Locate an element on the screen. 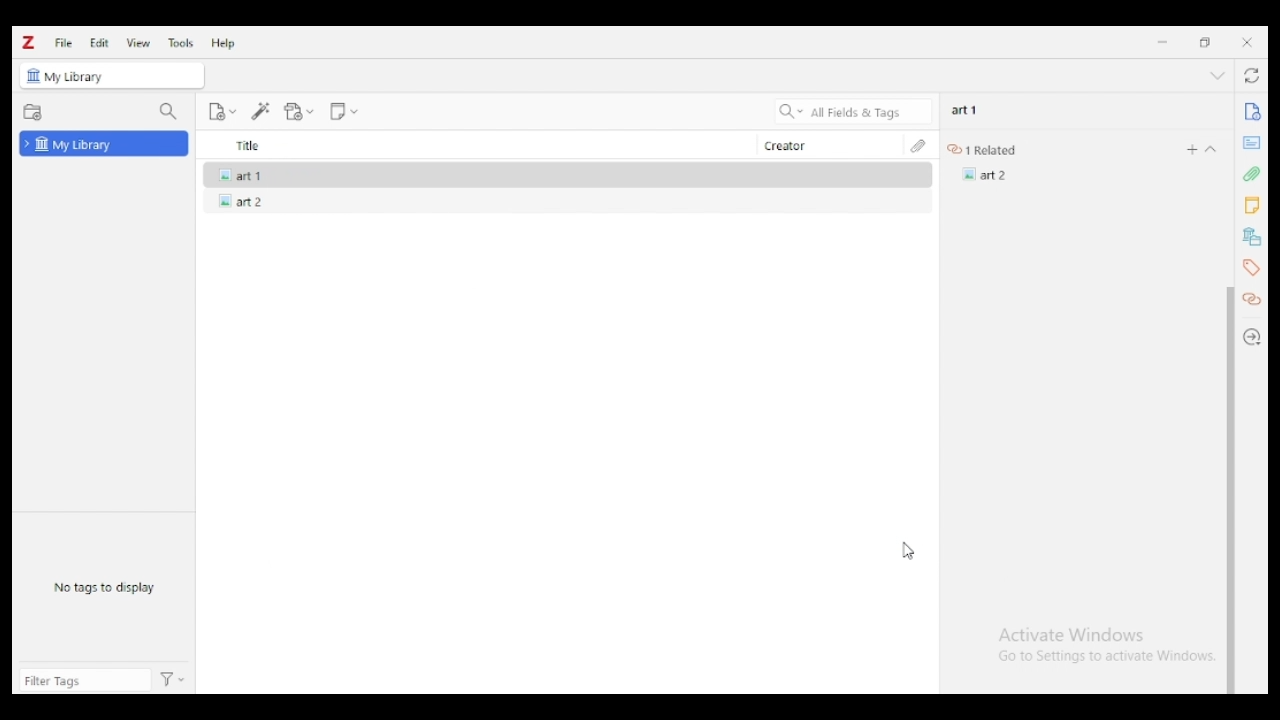 The width and height of the screenshot is (1280, 720). title is located at coordinates (475, 145).